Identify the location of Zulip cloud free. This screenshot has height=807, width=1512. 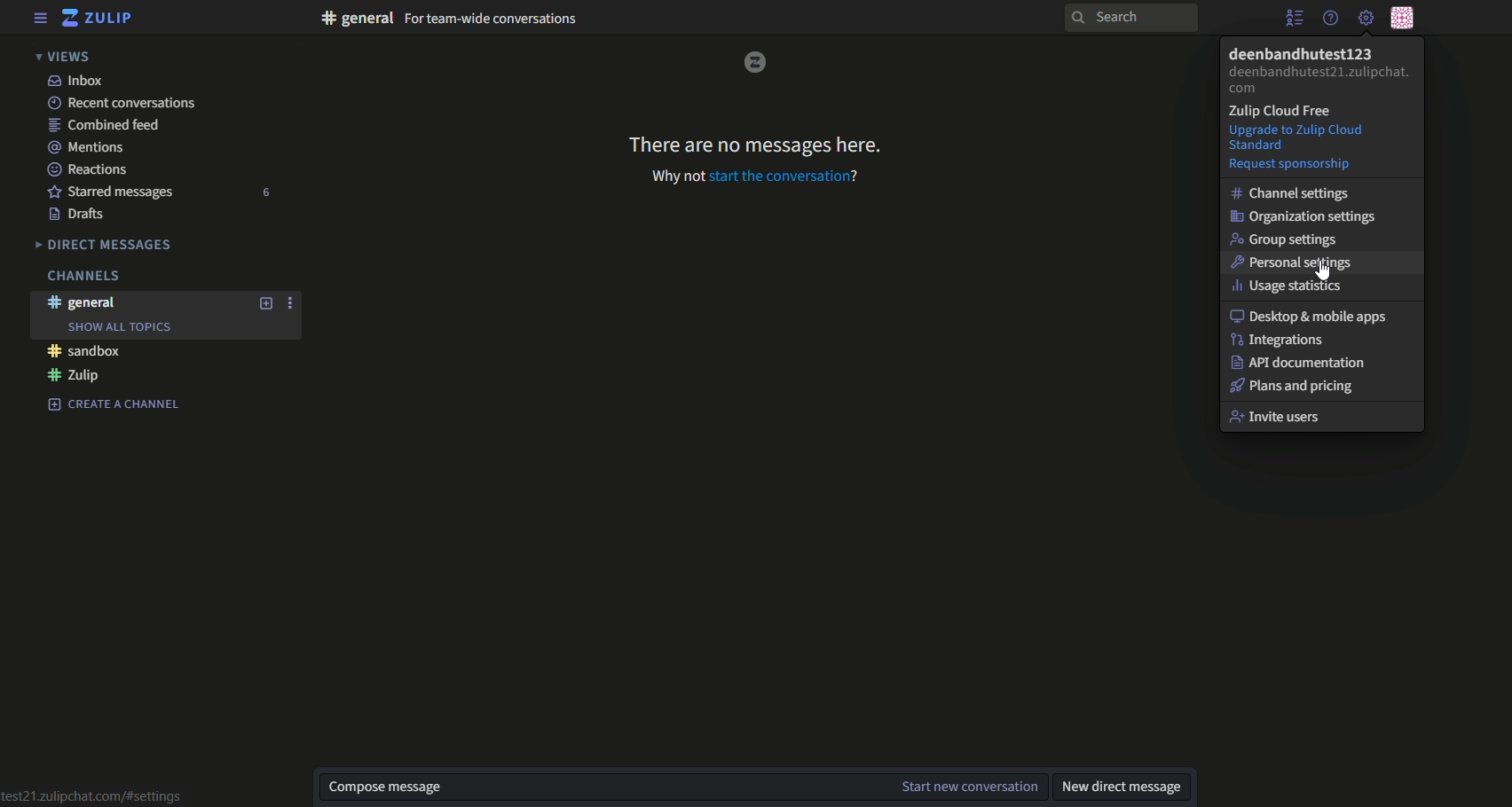
(1285, 111).